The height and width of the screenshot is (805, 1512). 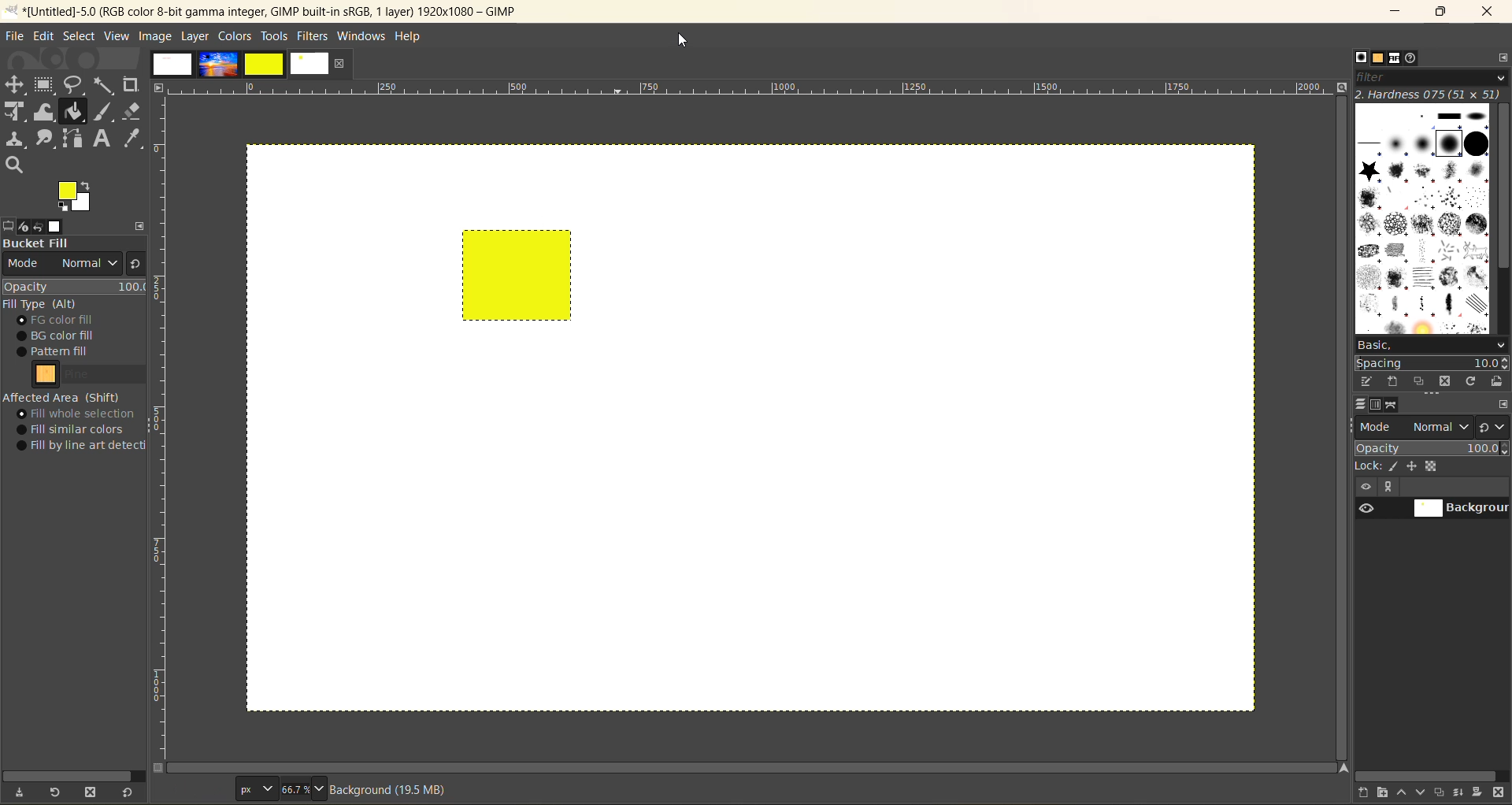 What do you see at coordinates (85, 447) in the screenshot?
I see `fill by line art detection` at bounding box center [85, 447].